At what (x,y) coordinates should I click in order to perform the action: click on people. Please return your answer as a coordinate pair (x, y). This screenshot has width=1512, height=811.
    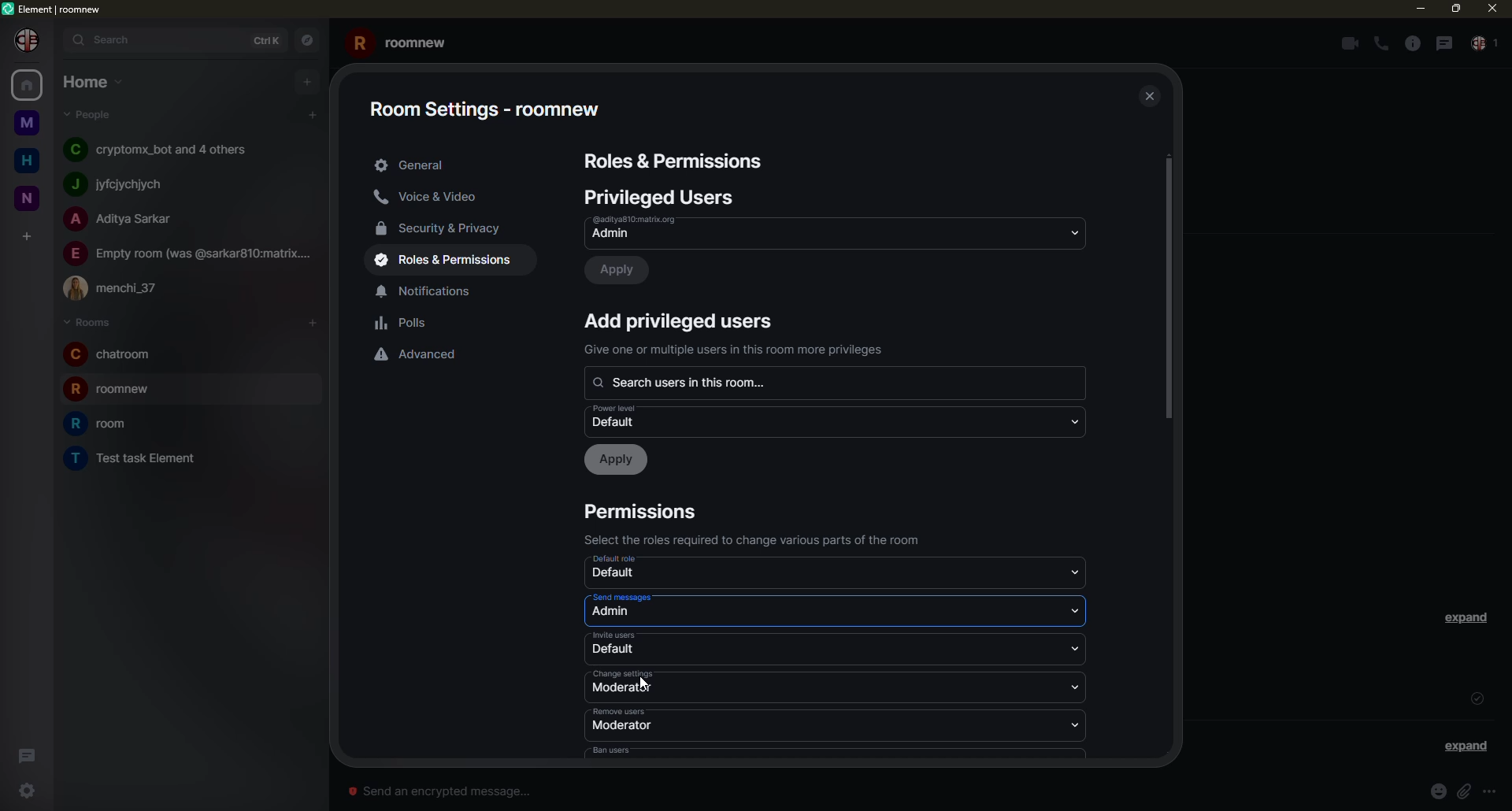
    Looking at the image, I should click on (1485, 45).